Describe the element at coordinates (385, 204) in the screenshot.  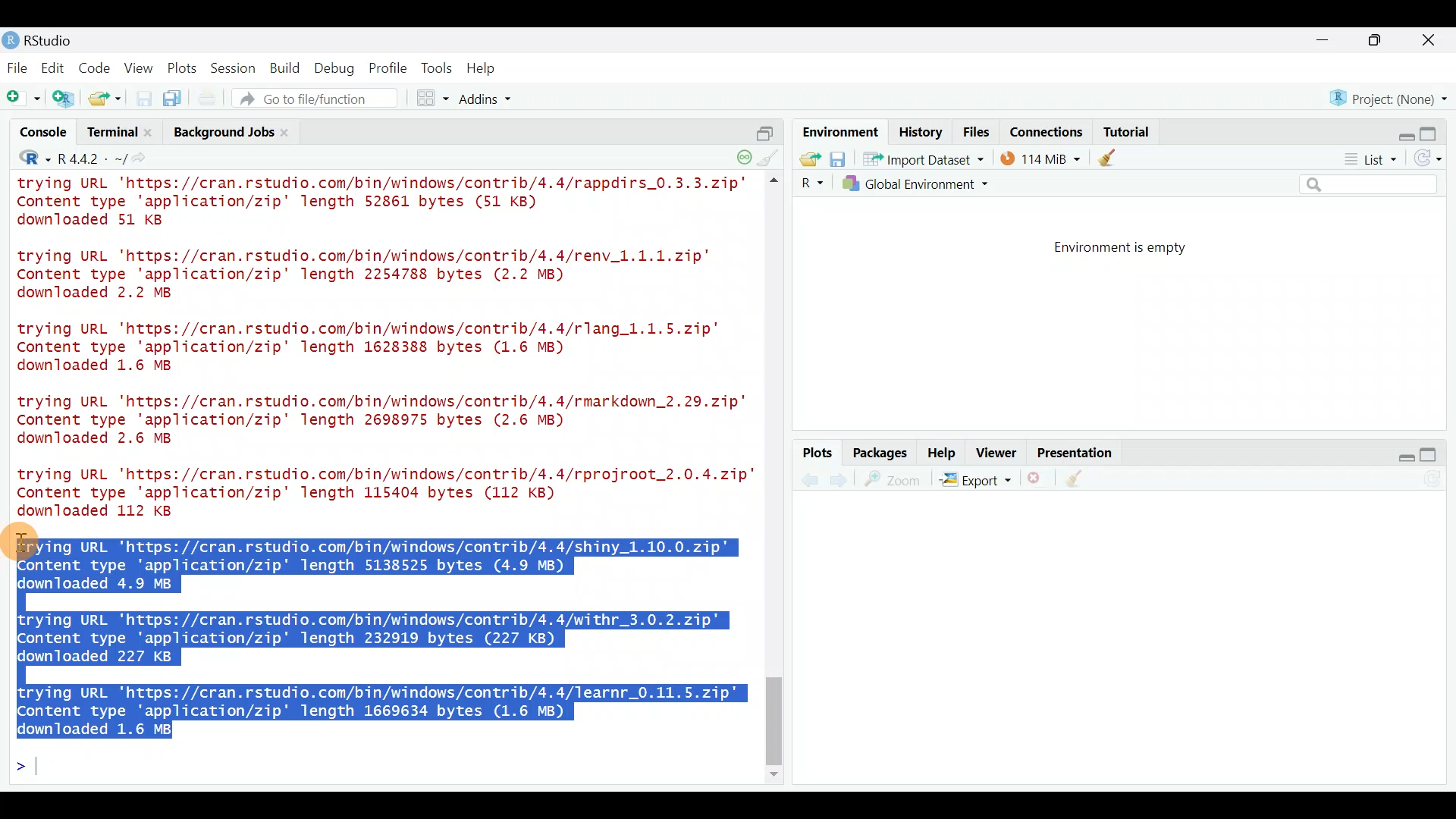
I see `trying URL 'https://cran.rstudio.com/bin/windows/contrib/4.4/rappdirs_0.3.3.zip"’
Content type 'application/zip' length 52861 bytes (51 KB)
downloaded 51 KB` at that location.